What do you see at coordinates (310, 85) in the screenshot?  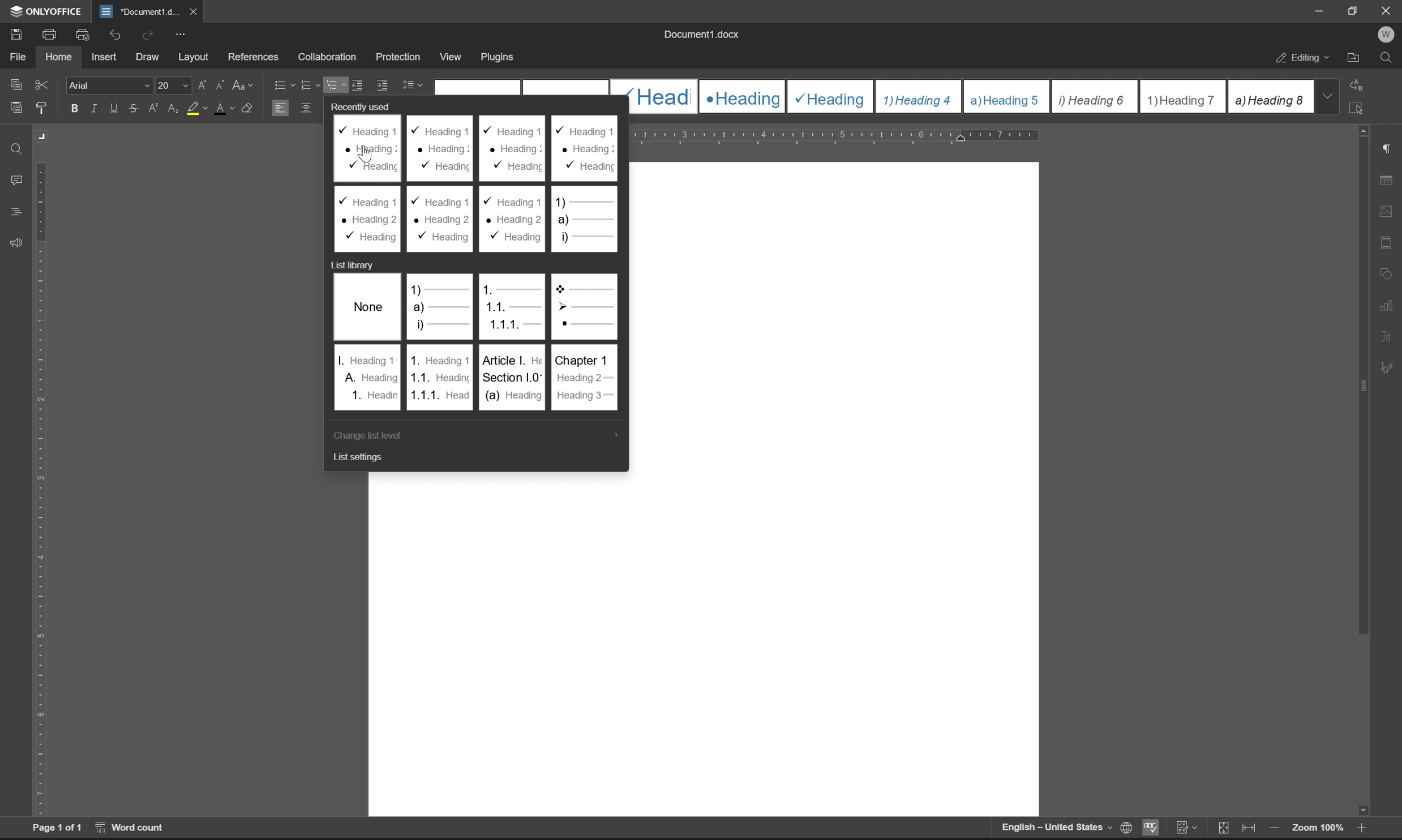 I see `numbering` at bounding box center [310, 85].